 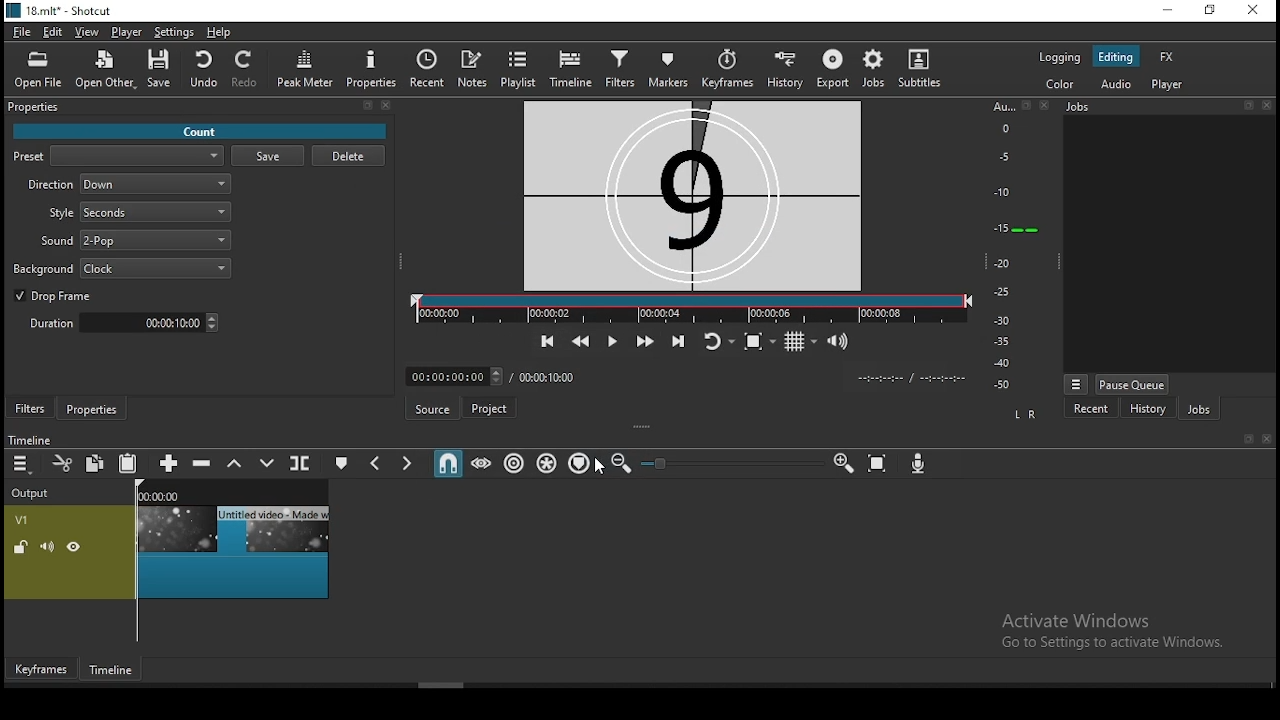 I want to click on video progress bar, so click(x=687, y=308).